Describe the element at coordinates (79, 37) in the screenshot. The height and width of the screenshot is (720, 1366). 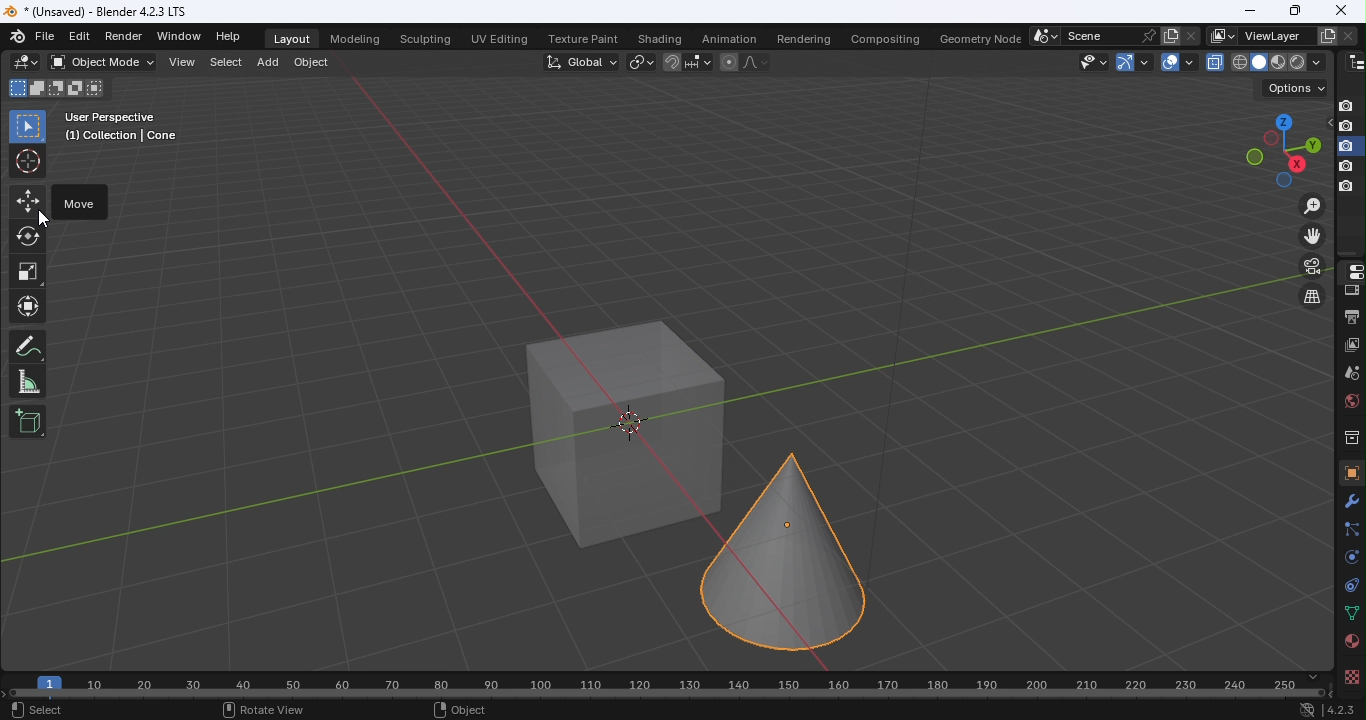
I see `Edit` at that location.